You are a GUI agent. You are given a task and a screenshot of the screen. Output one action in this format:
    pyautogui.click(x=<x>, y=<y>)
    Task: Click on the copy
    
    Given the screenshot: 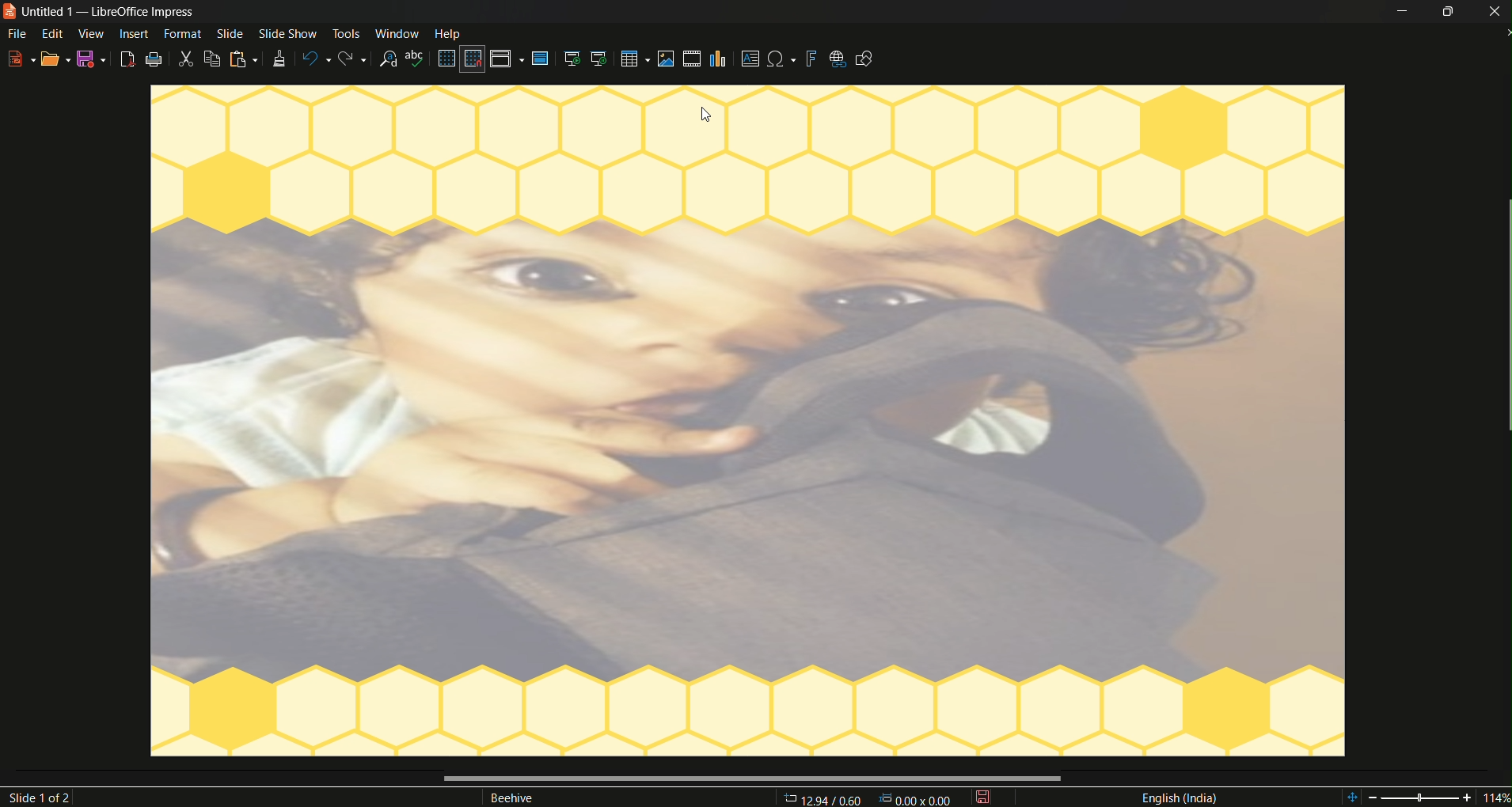 What is the action you would take?
    pyautogui.click(x=212, y=59)
    